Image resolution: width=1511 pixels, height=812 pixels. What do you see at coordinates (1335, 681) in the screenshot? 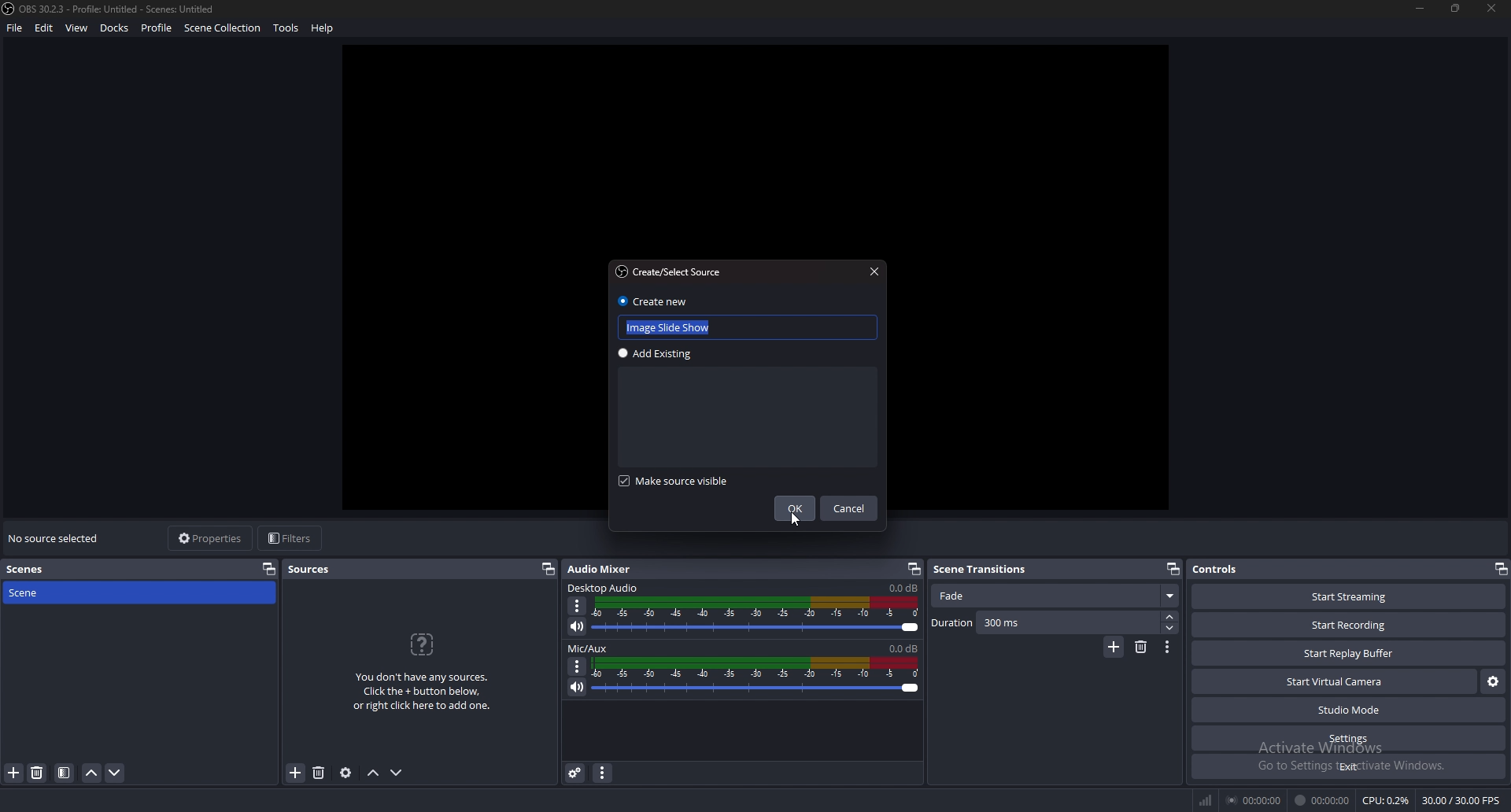
I see `start virtual camera` at bounding box center [1335, 681].